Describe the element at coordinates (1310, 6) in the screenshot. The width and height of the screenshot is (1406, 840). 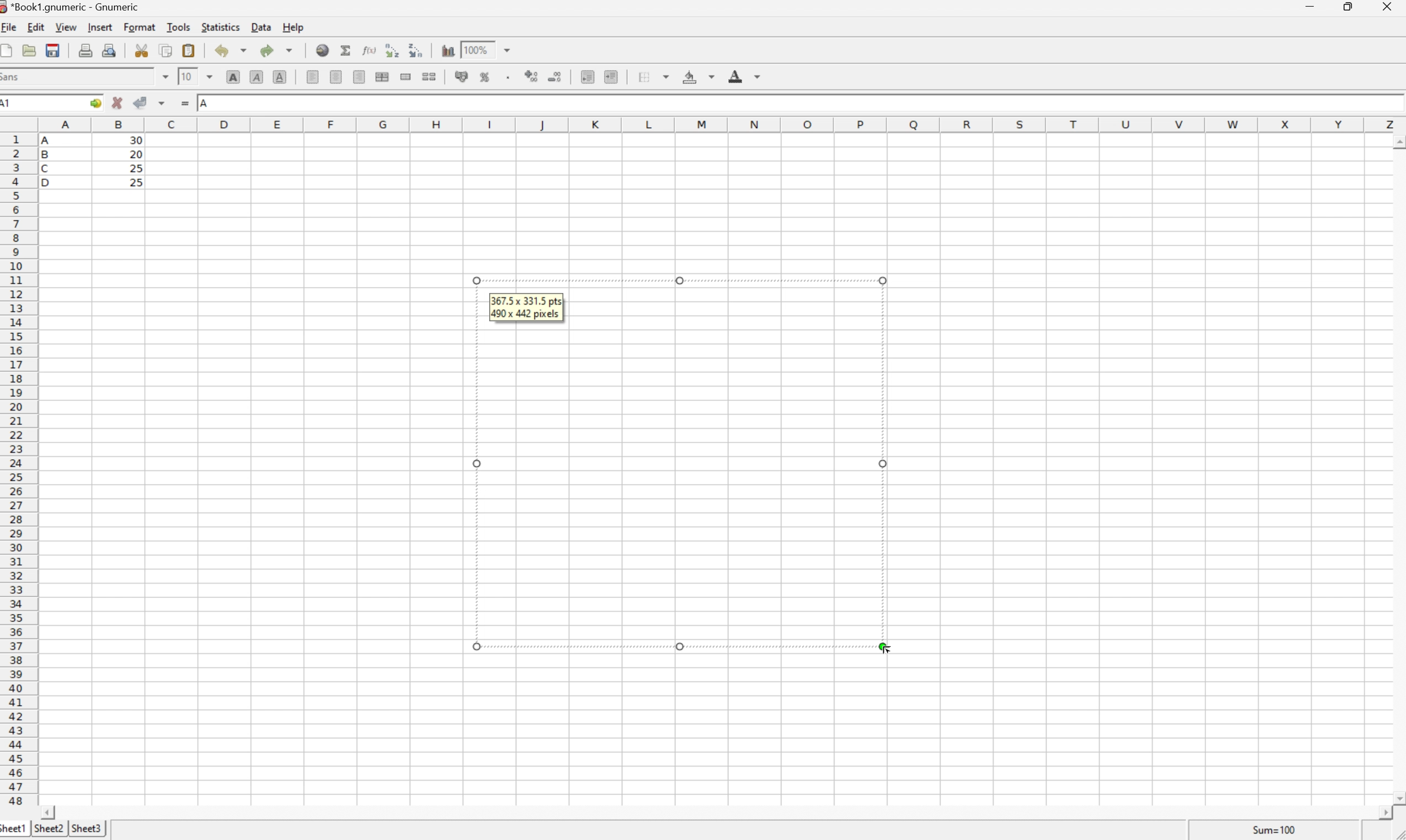
I see `Minimize` at that location.